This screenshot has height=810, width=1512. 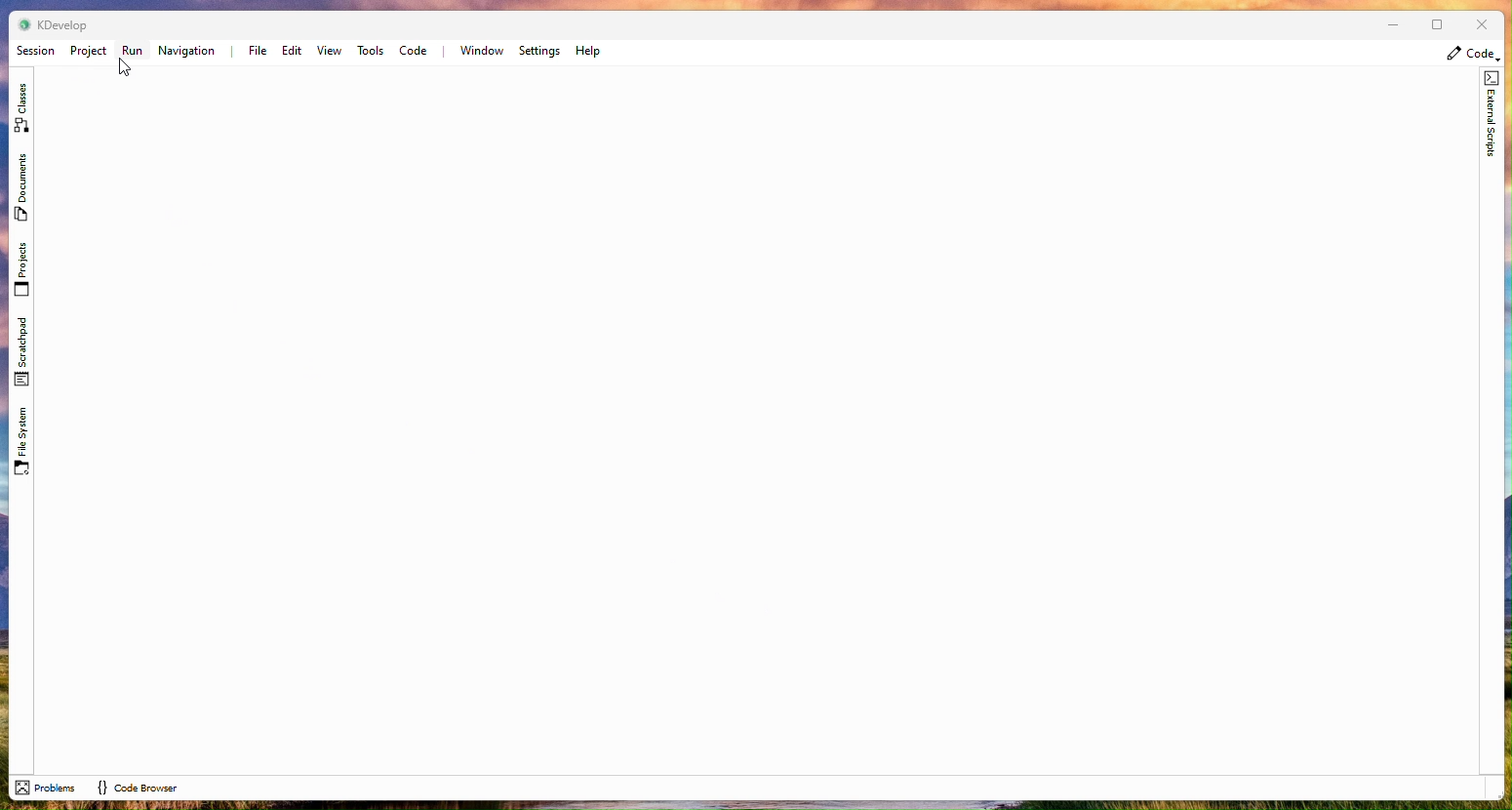 What do you see at coordinates (21, 104) in the screenshot?
I see `Class` at bounding box center [21, 104].